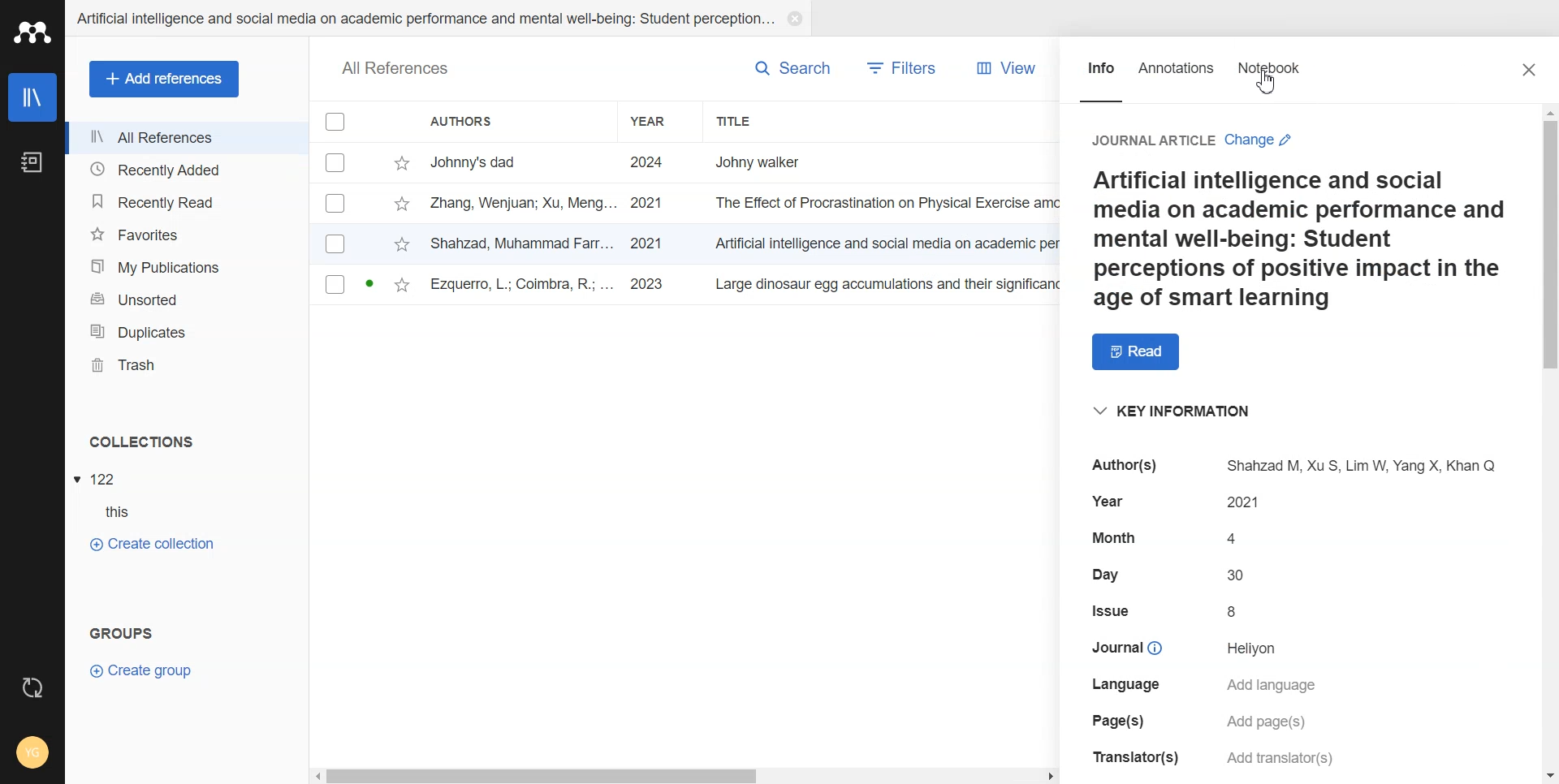  Describe the element at coordinates (187, 138) in the screenshot. I see `All References` at that location.